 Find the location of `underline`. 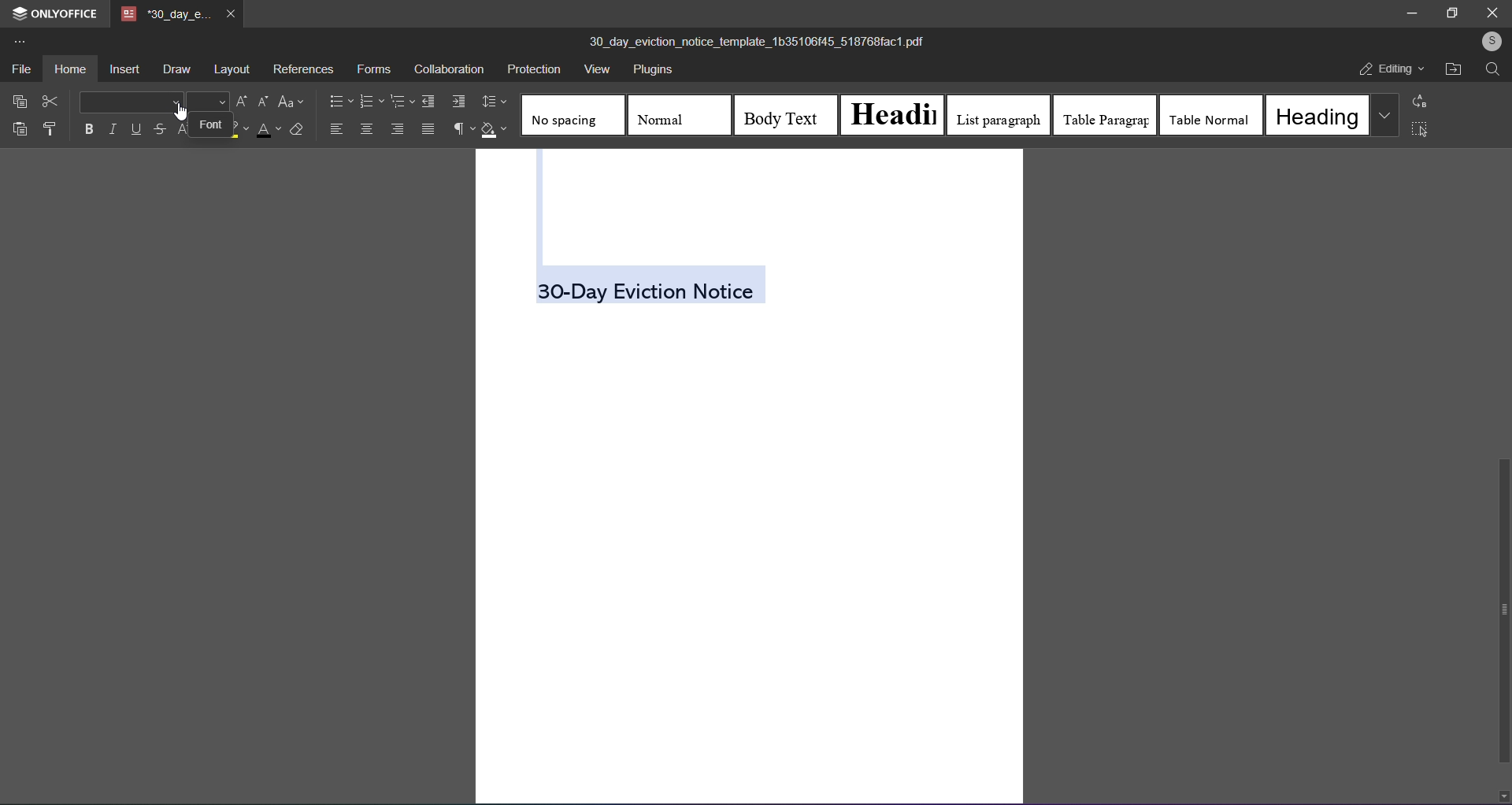

underline is located at coordinates (135, 128).